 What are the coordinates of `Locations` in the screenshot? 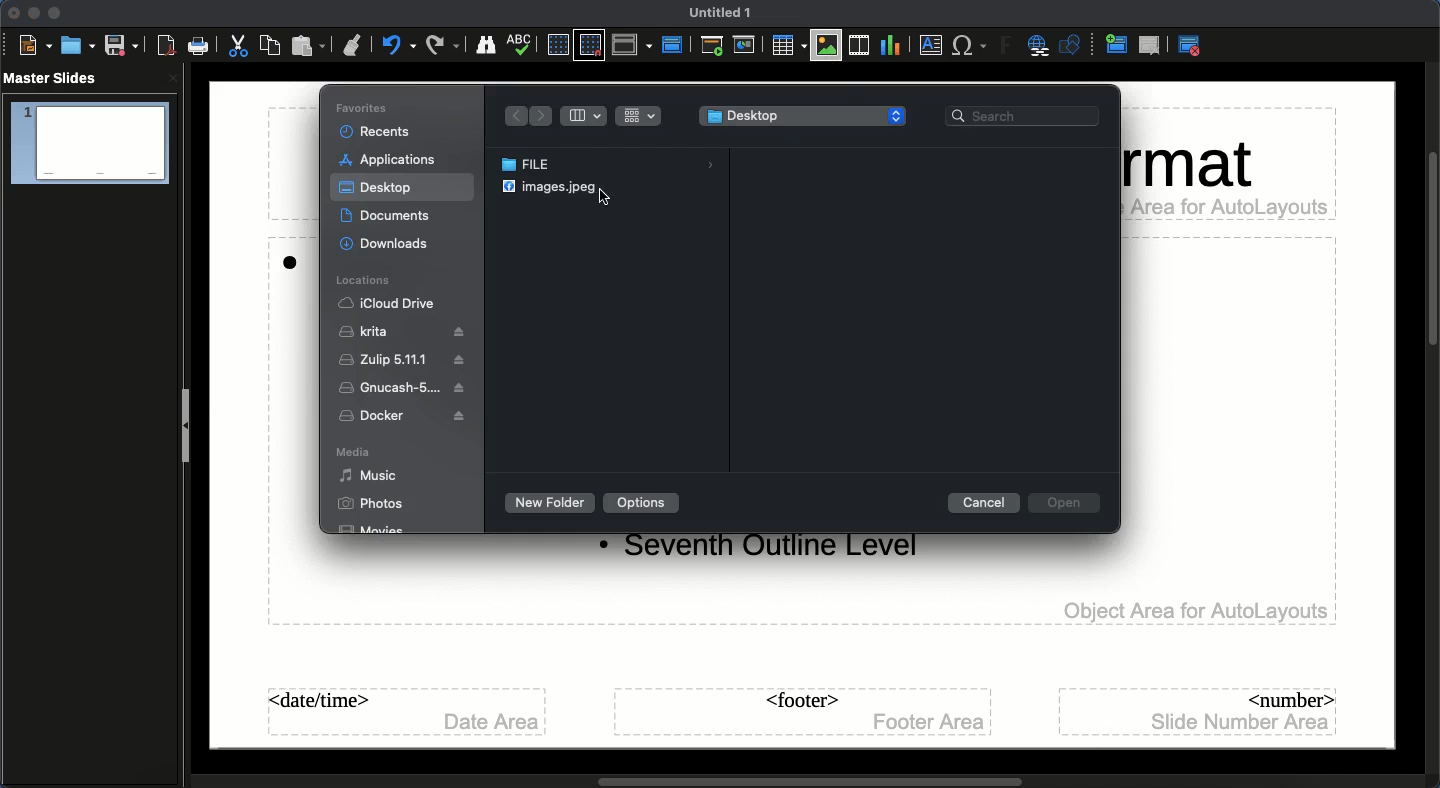 It's located at (365, 279).